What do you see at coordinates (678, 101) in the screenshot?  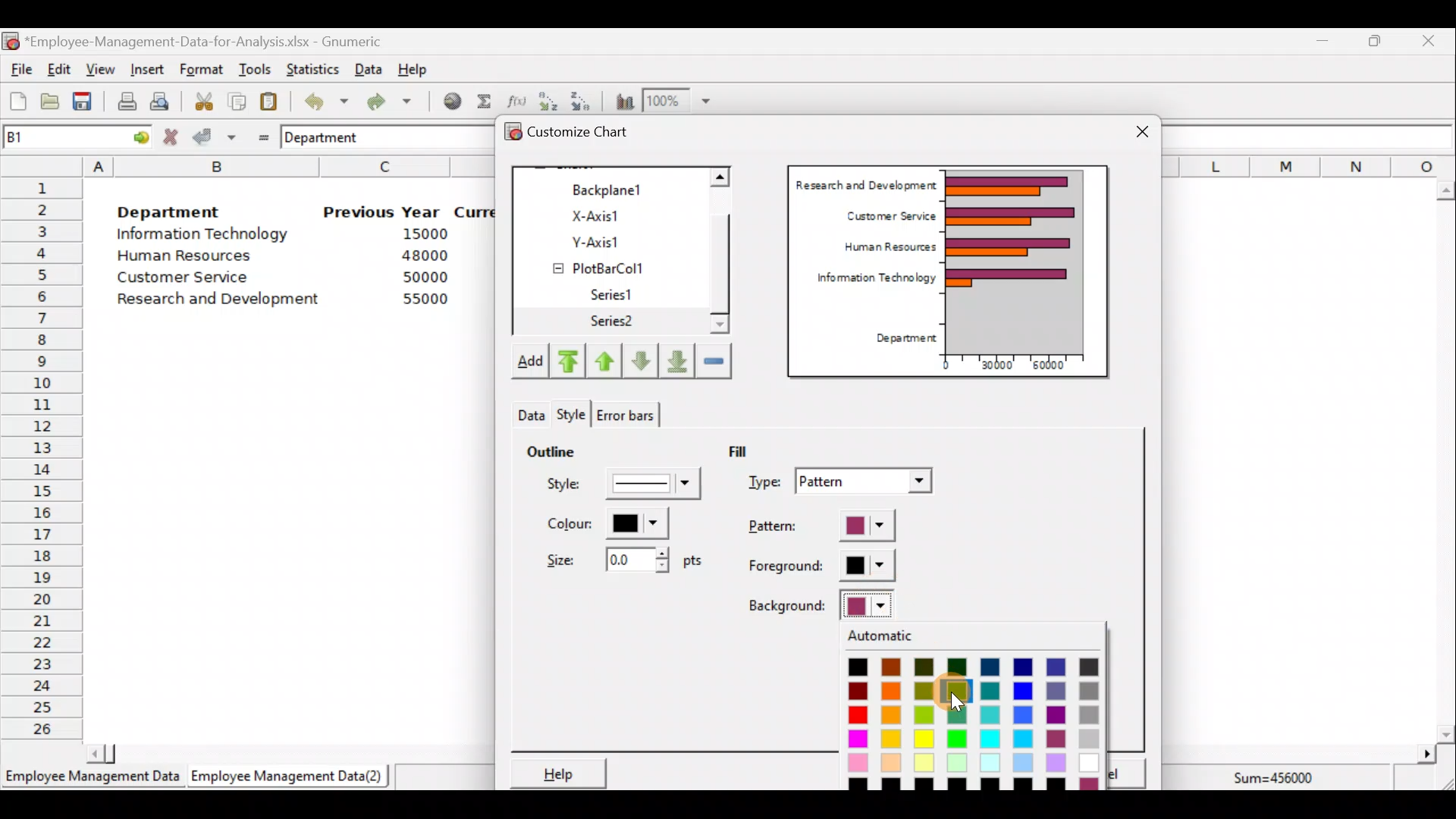 I see `Zoom` at bounding box center [678, 101].